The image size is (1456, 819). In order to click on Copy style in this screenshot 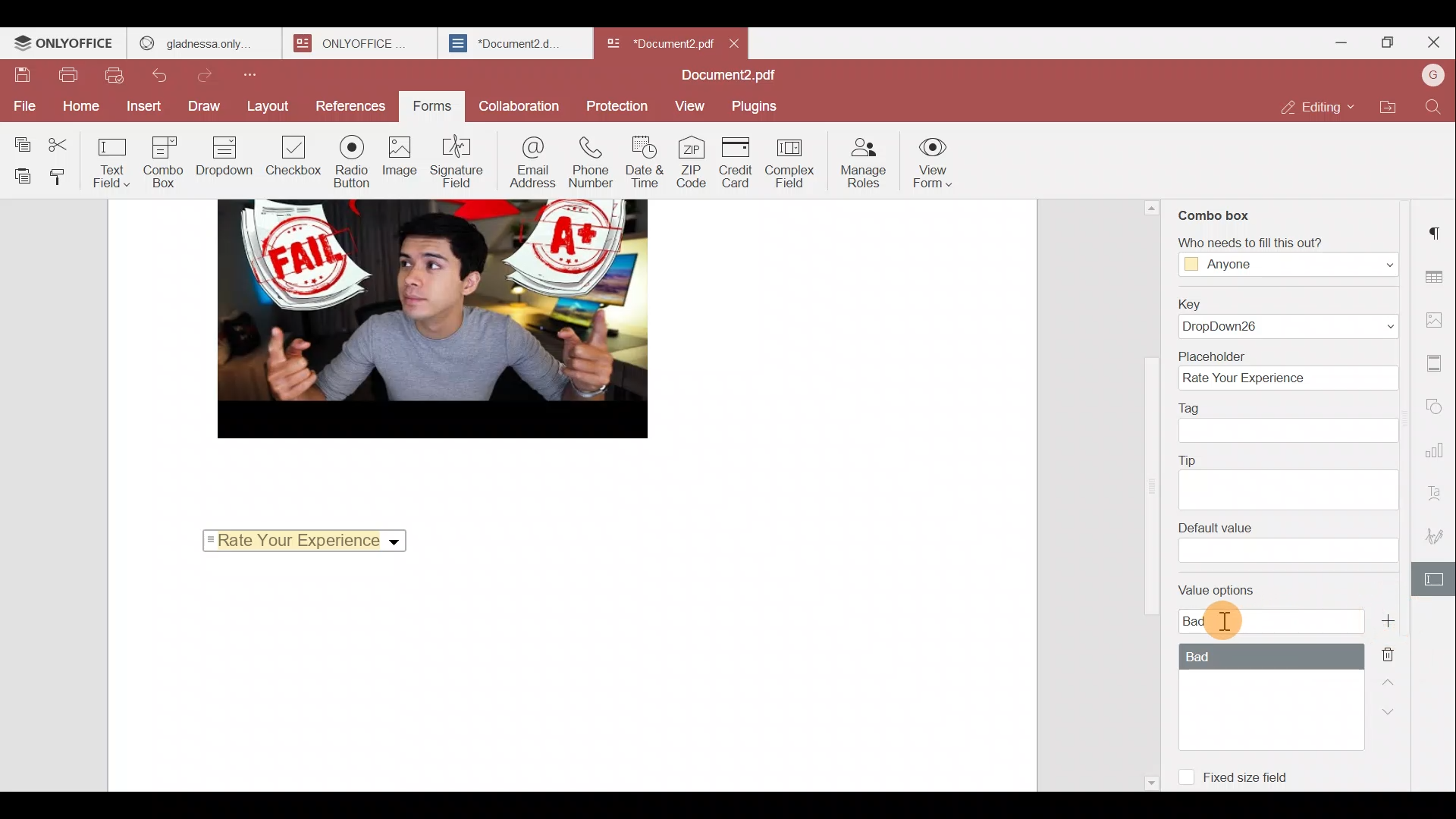, I will do `click(65, 177)`.